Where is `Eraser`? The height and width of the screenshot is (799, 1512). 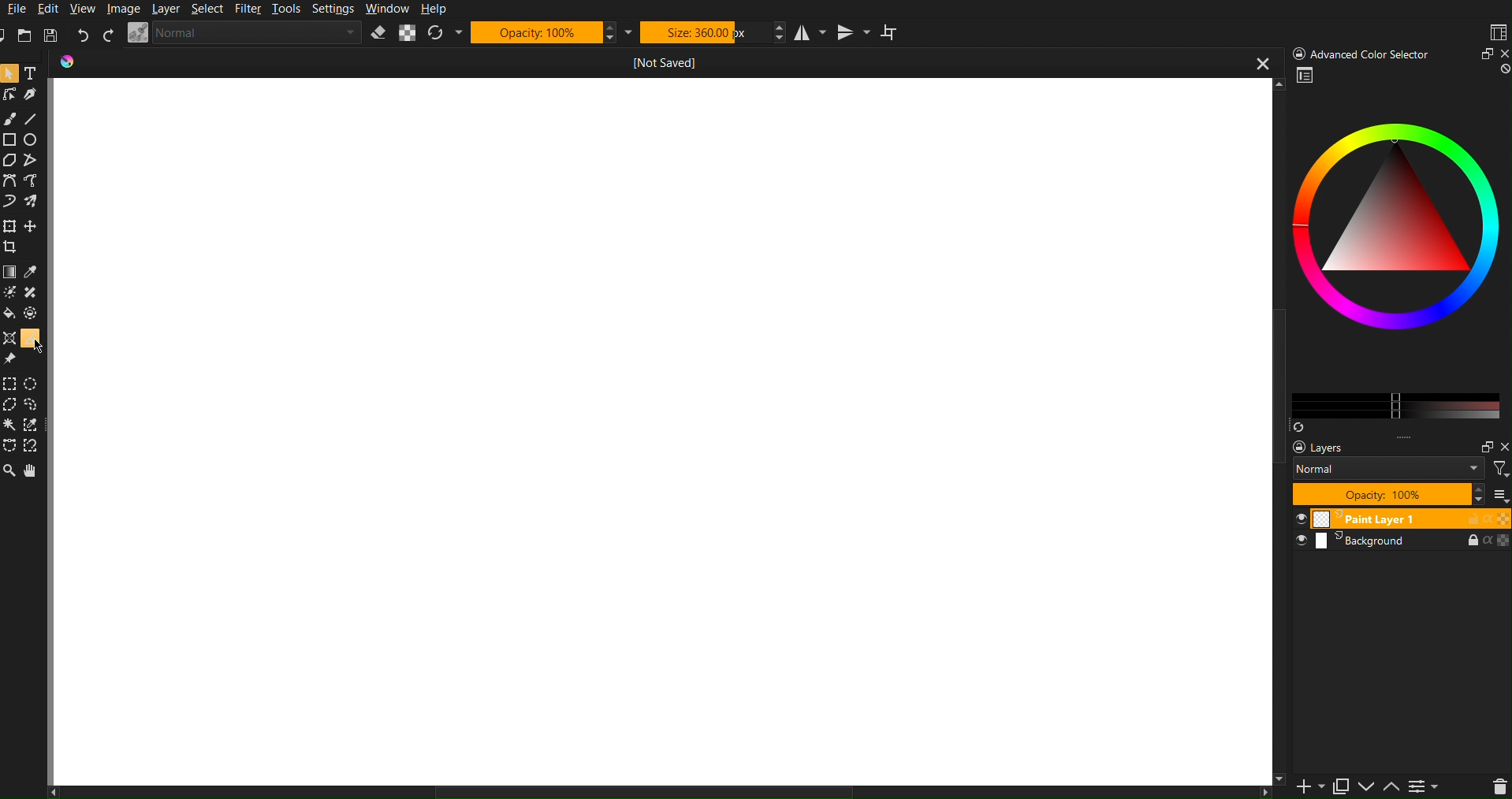 Eraser is located at coordinates (378, 33).